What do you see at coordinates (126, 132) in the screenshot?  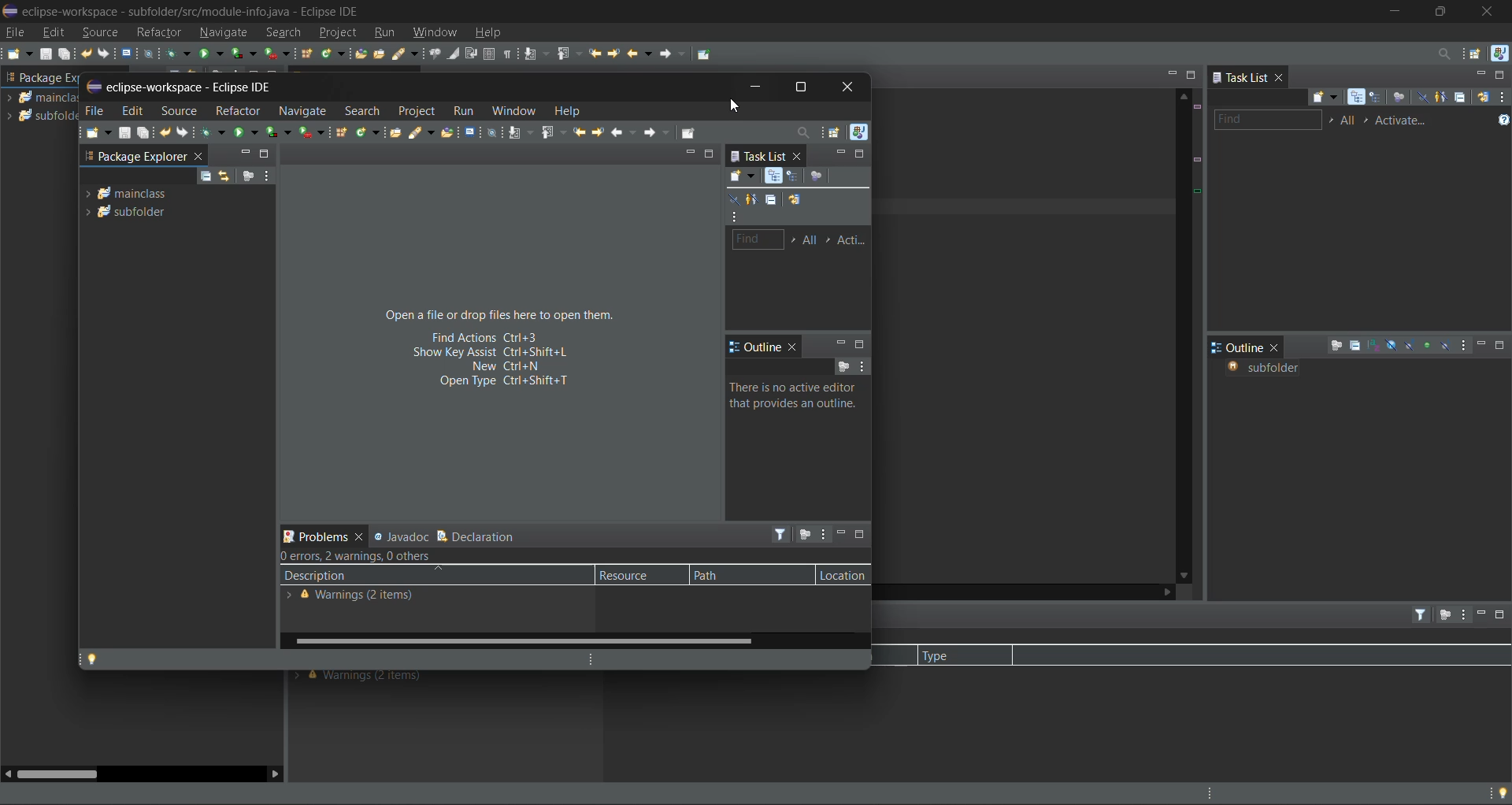 I see `save` at bounding box center [126, 132].